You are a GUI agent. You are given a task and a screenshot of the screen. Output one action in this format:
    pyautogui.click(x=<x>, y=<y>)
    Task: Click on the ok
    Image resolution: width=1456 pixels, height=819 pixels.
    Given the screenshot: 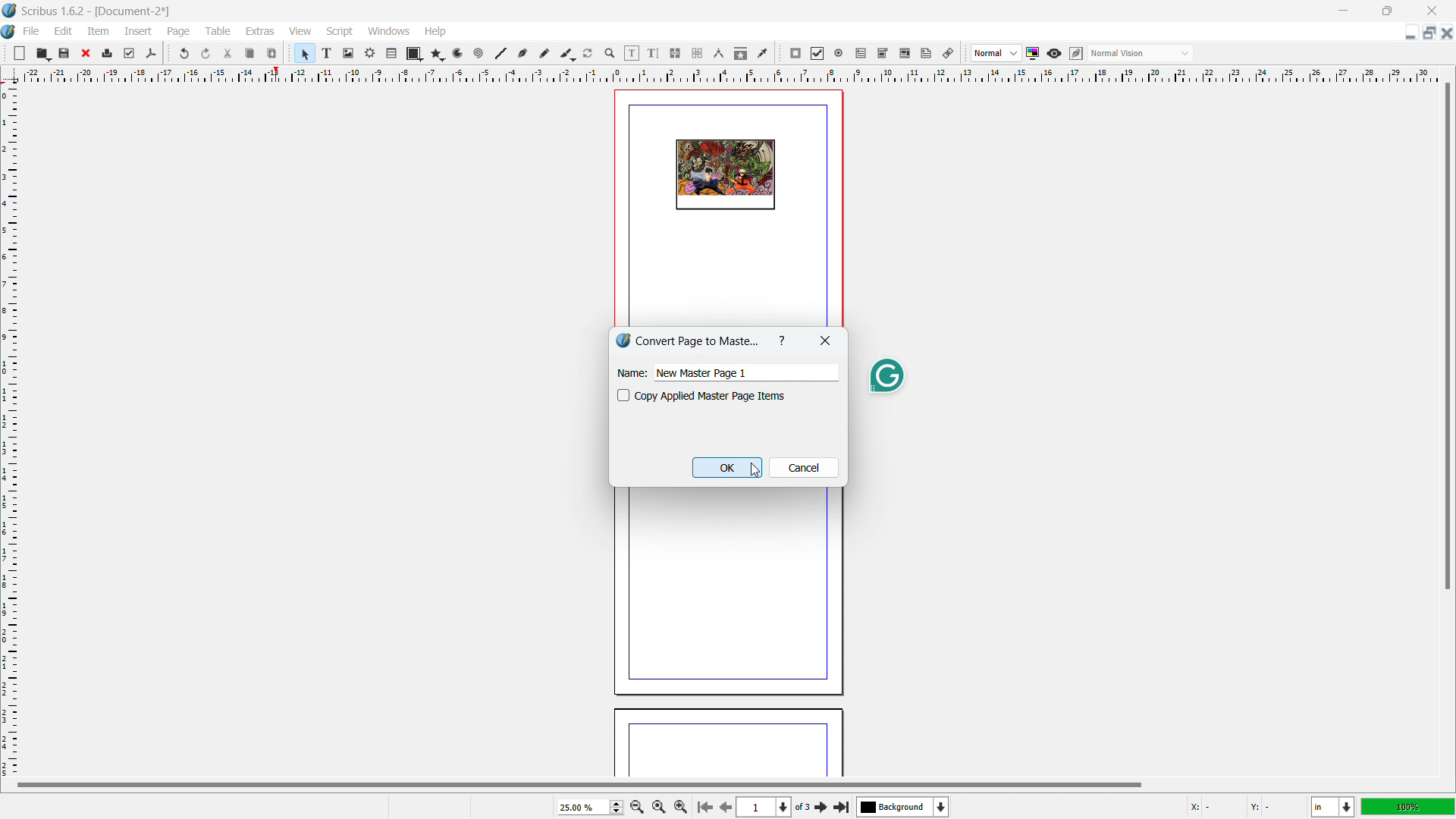 What is the action you would take?
    pyautogui.click(x=727, y=468)
    